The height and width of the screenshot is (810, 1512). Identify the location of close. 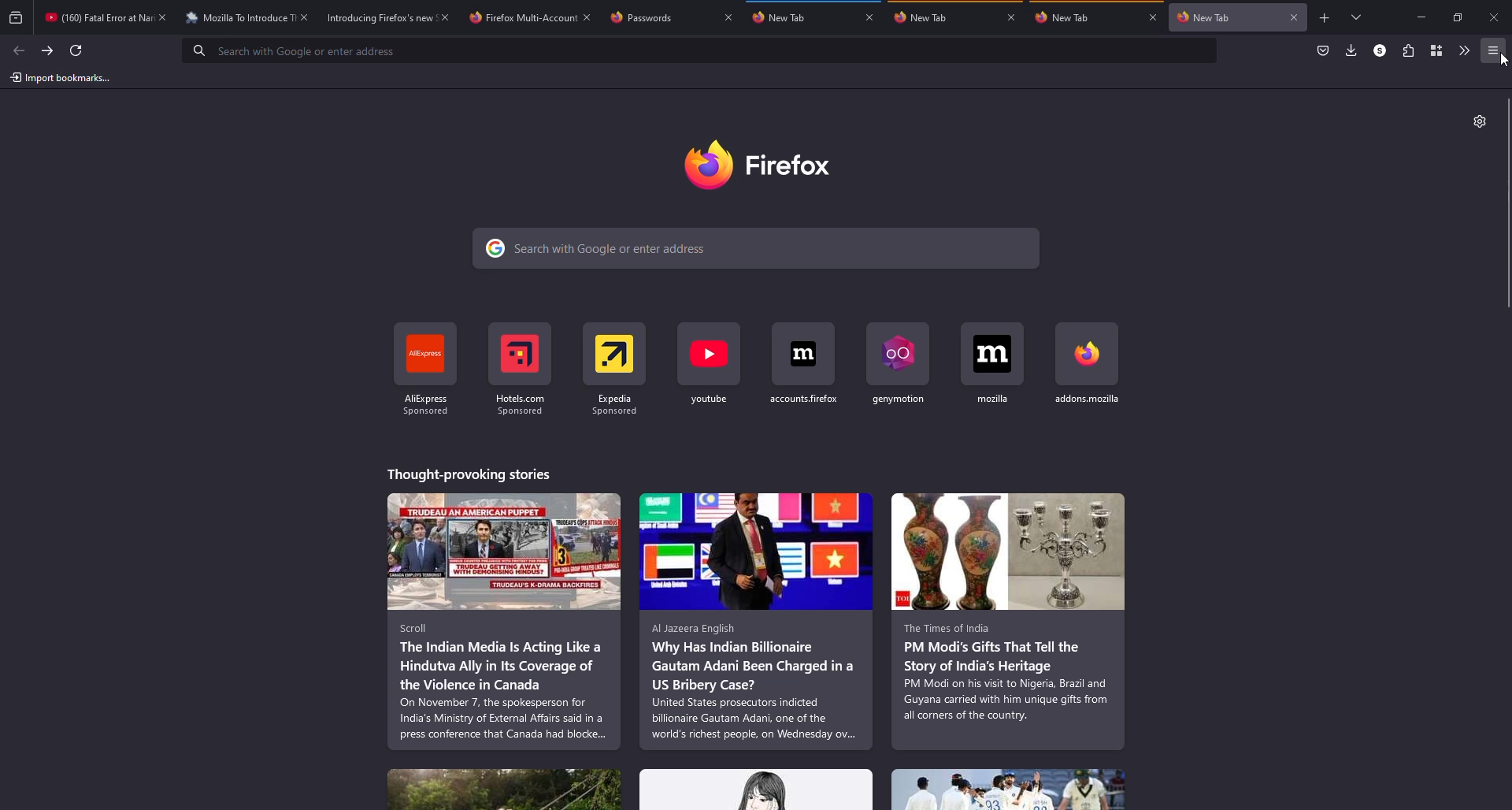
(445, 18).